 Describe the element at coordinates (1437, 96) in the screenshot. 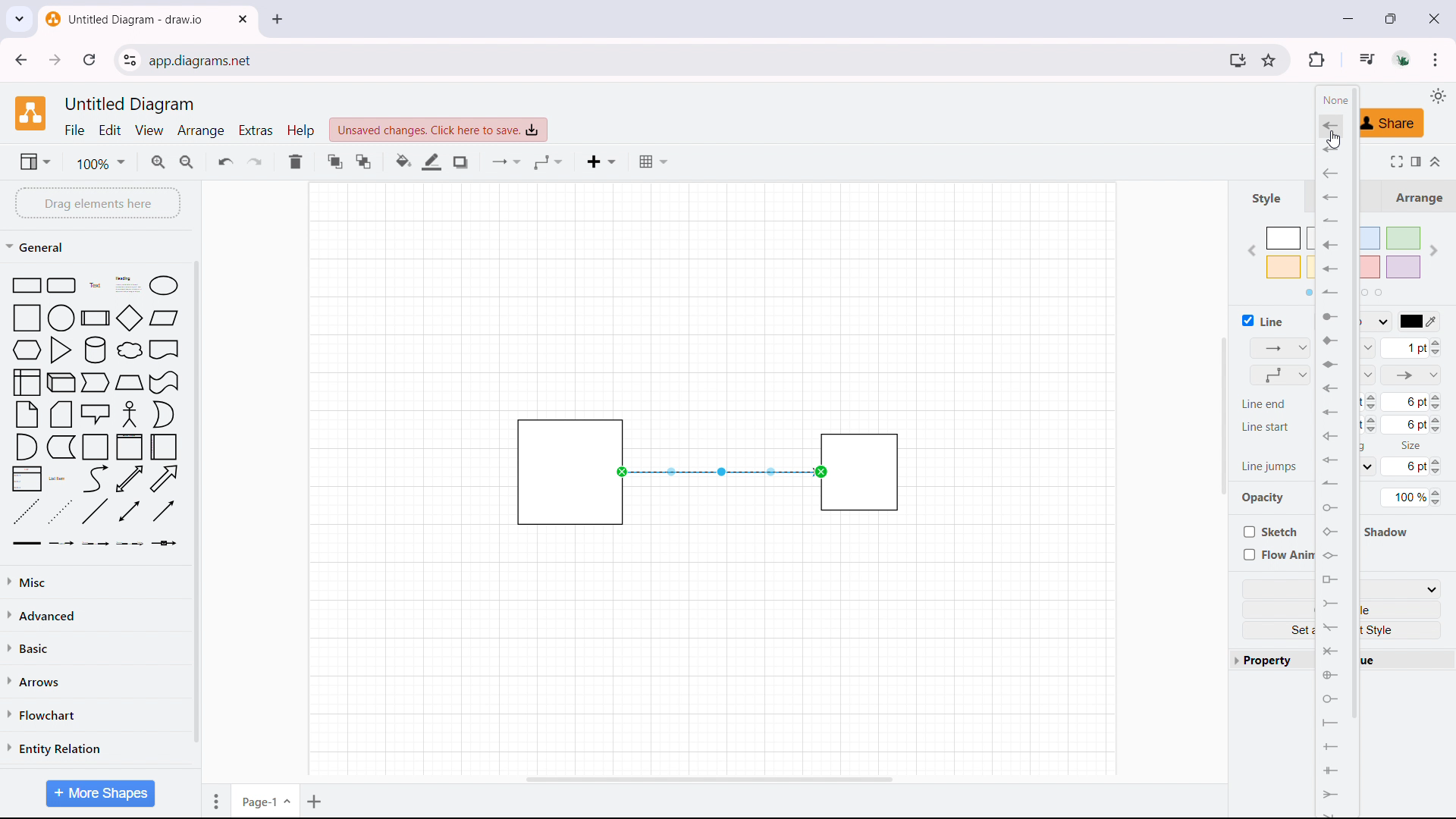

I see `select theme` at that location.